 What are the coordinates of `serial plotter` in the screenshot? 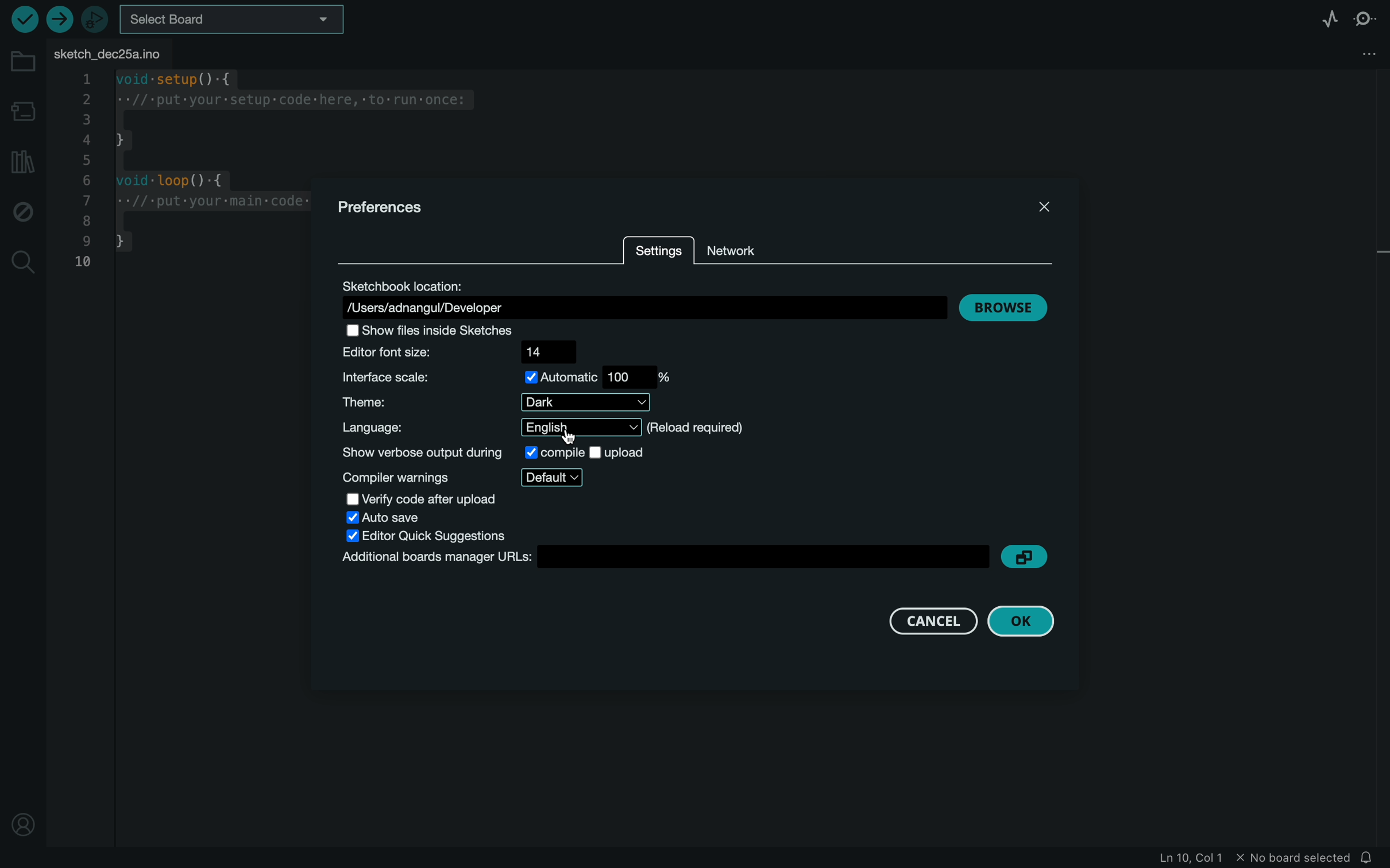 It's located at (1320, 20).